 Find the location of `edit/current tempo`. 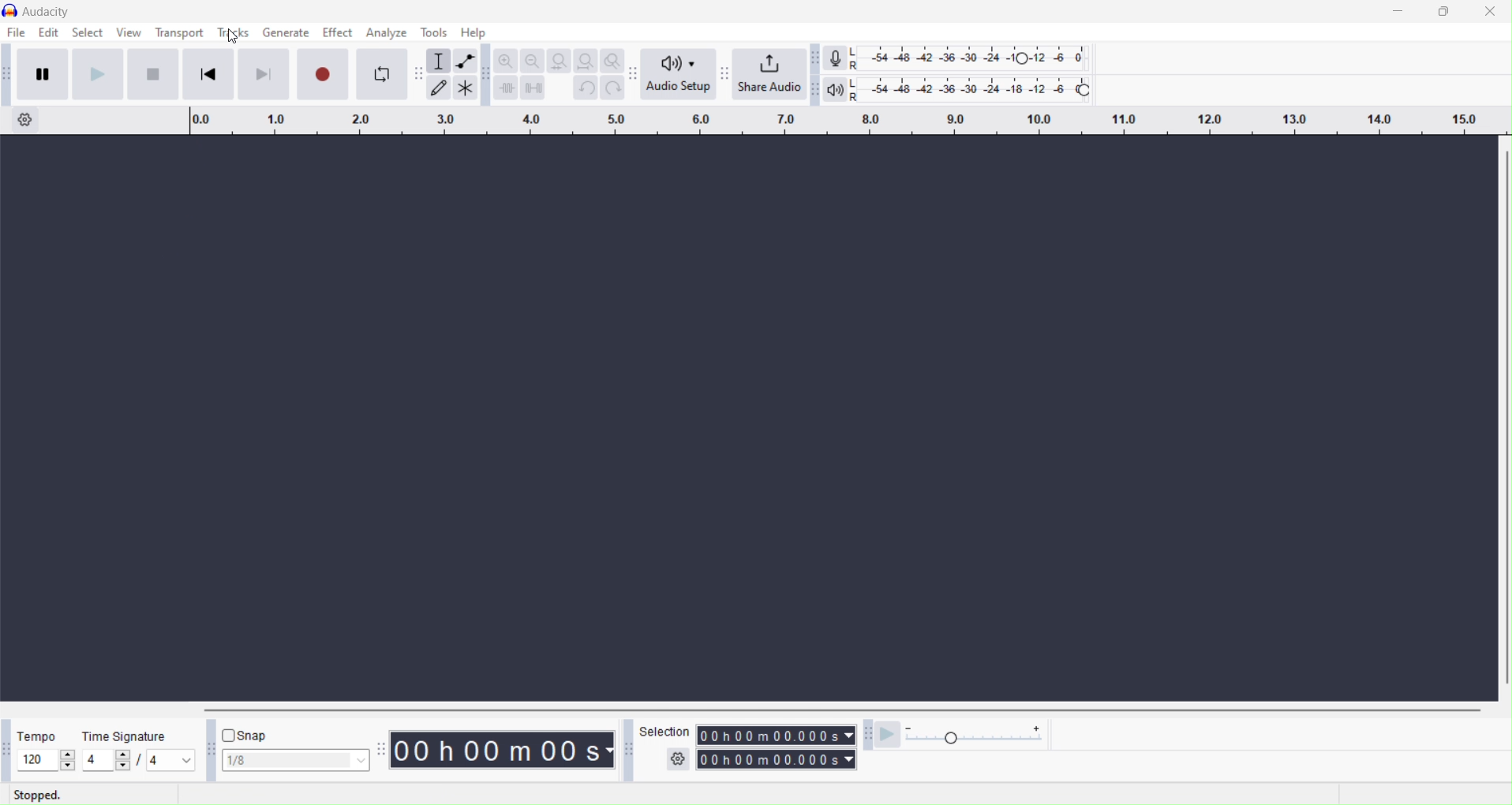

edit/current tempo is located at coordinates (32, 760).